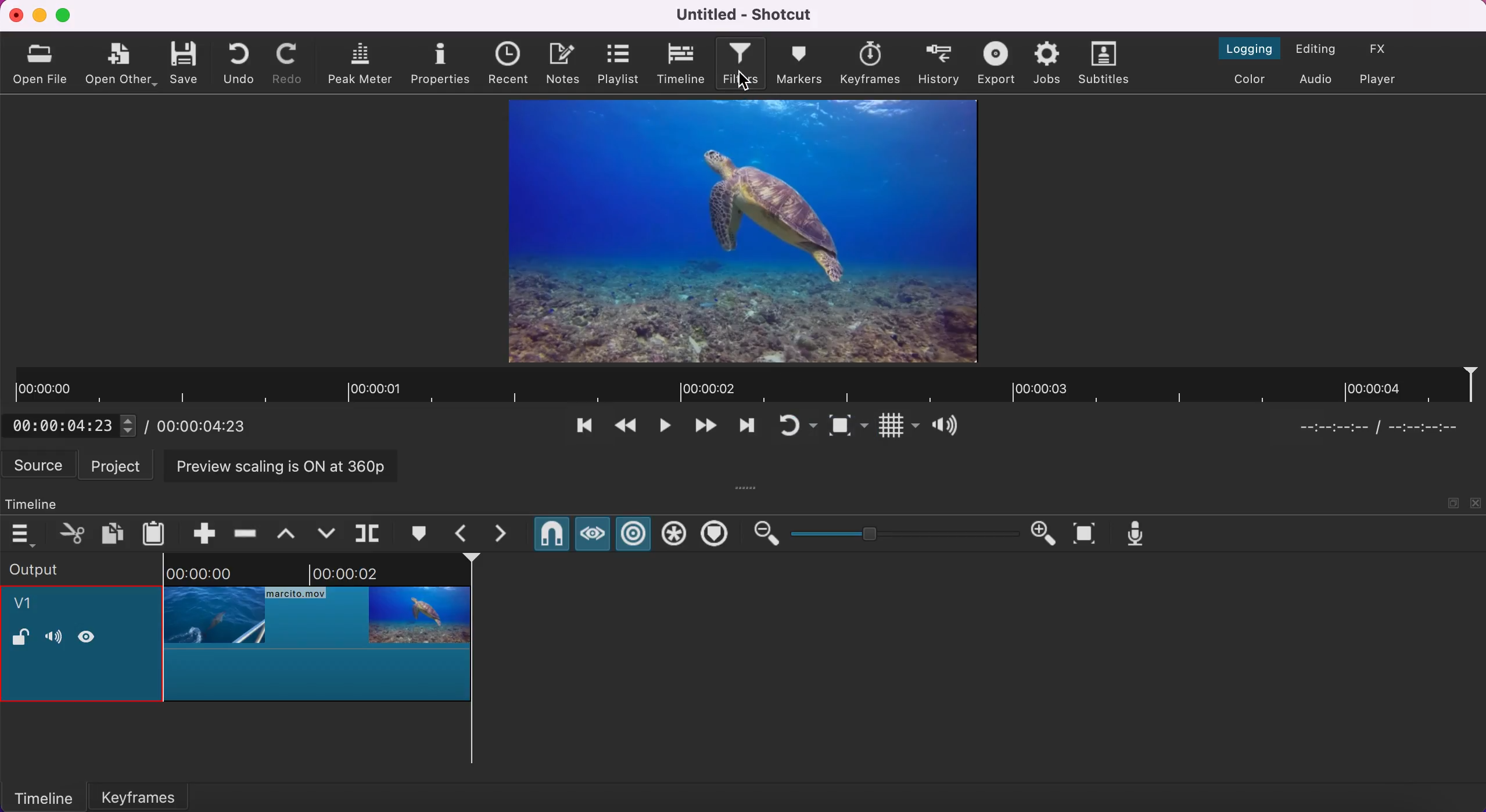  I want to click on jobs, so click(1047, 64).